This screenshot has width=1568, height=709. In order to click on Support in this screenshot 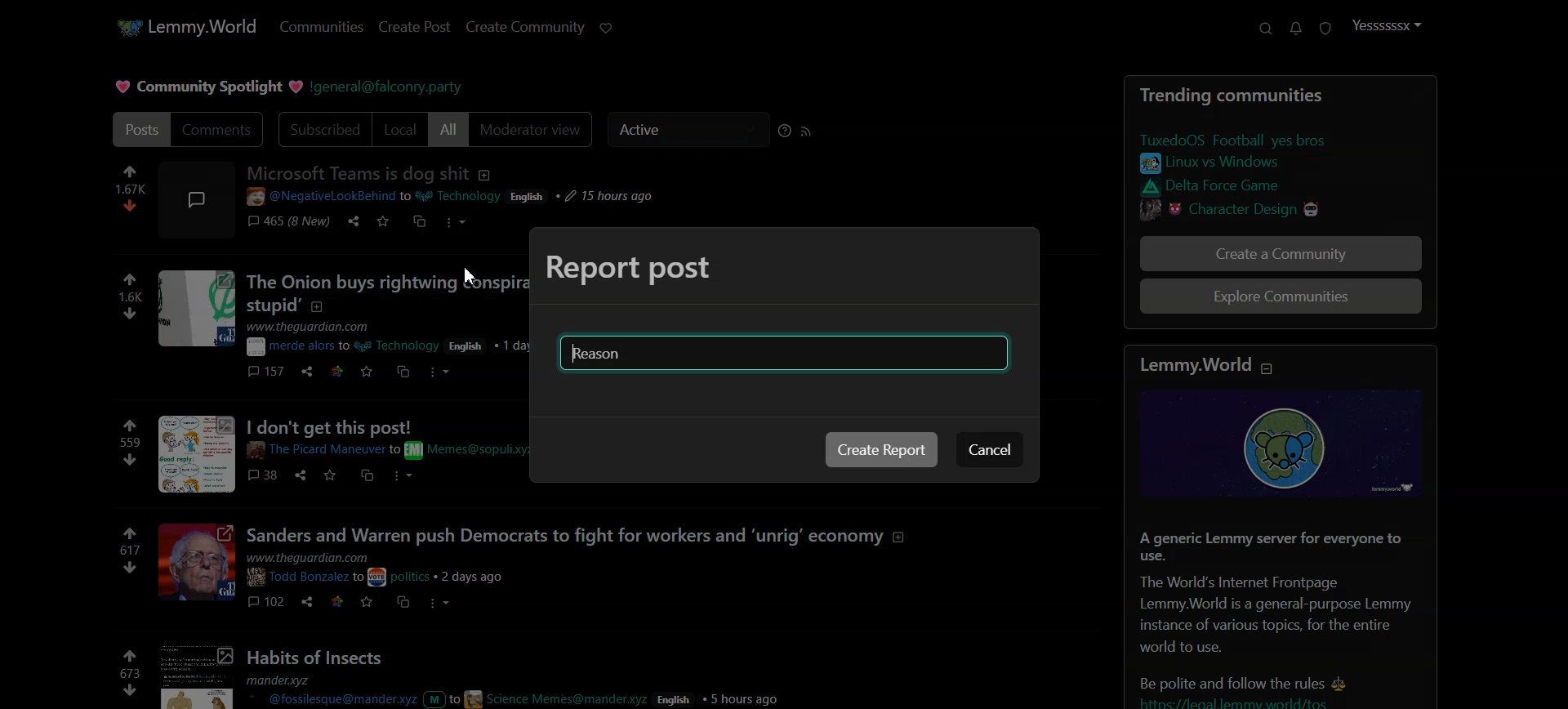, I will do `click(1264, 29)`.